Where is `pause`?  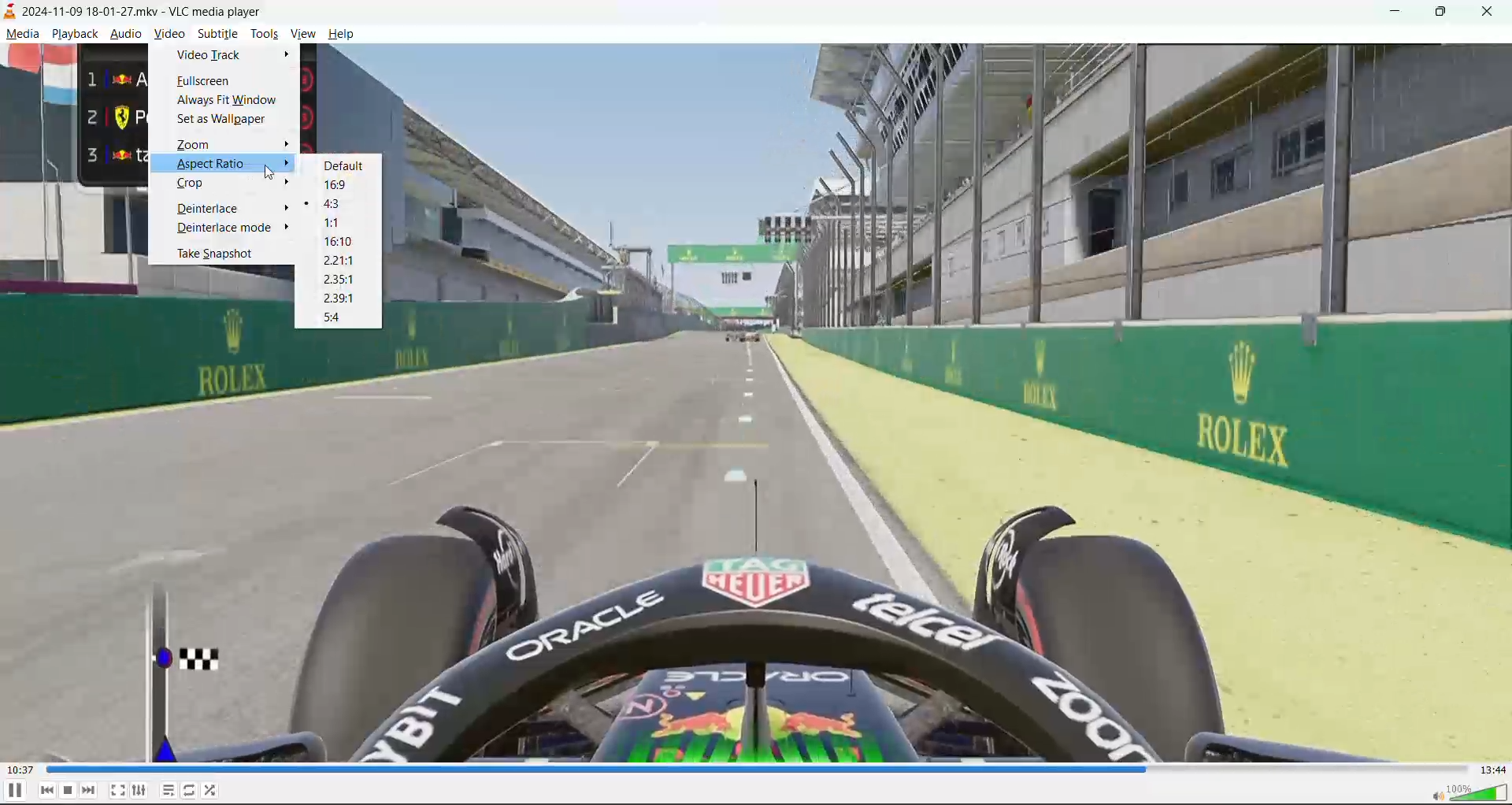 pause is located at coordinates (15, 792).